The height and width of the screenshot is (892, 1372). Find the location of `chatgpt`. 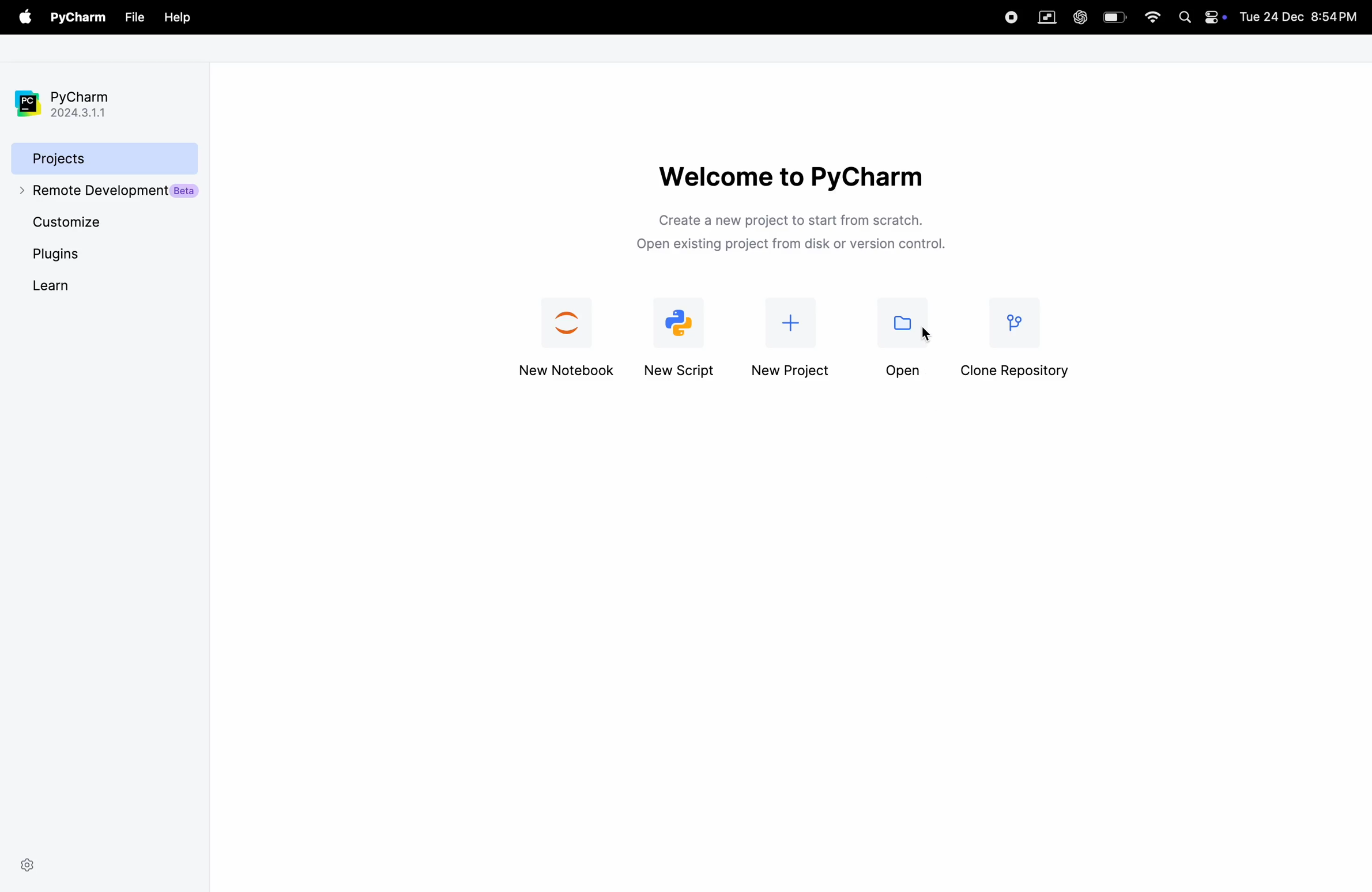

chatgpt is located at coordinates (1079, 16).